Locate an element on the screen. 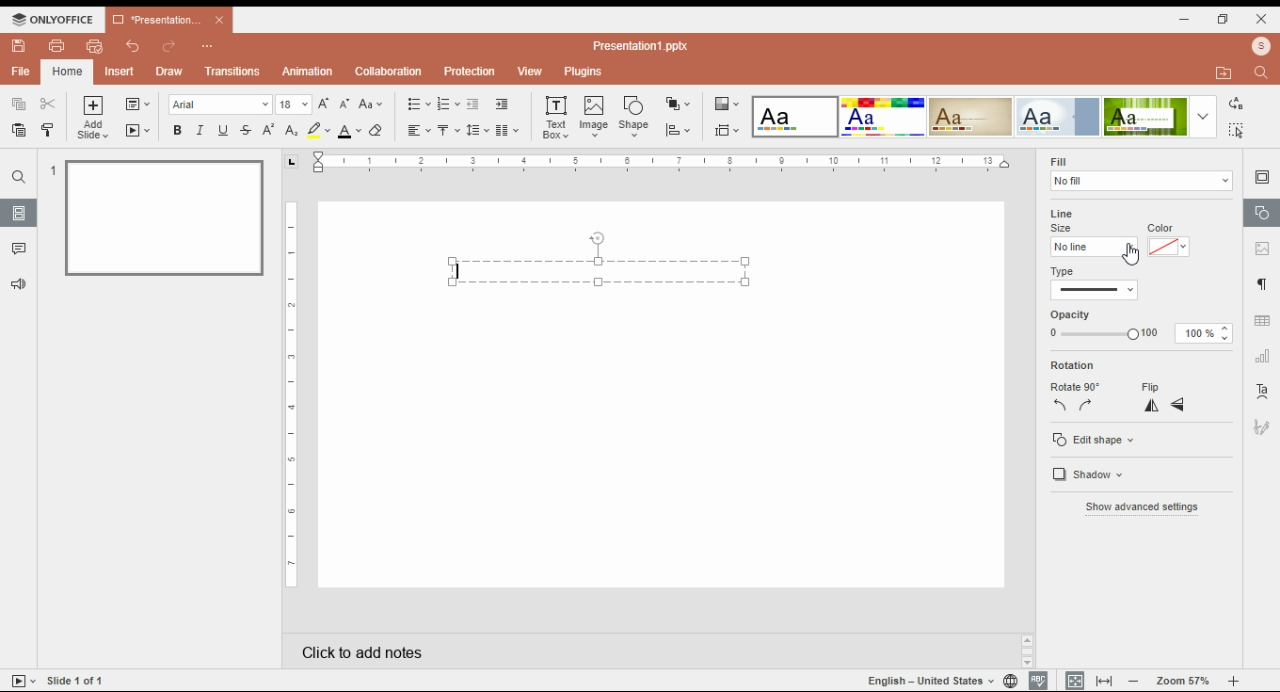  zoom 57% is located at coordinates (1181, 681).